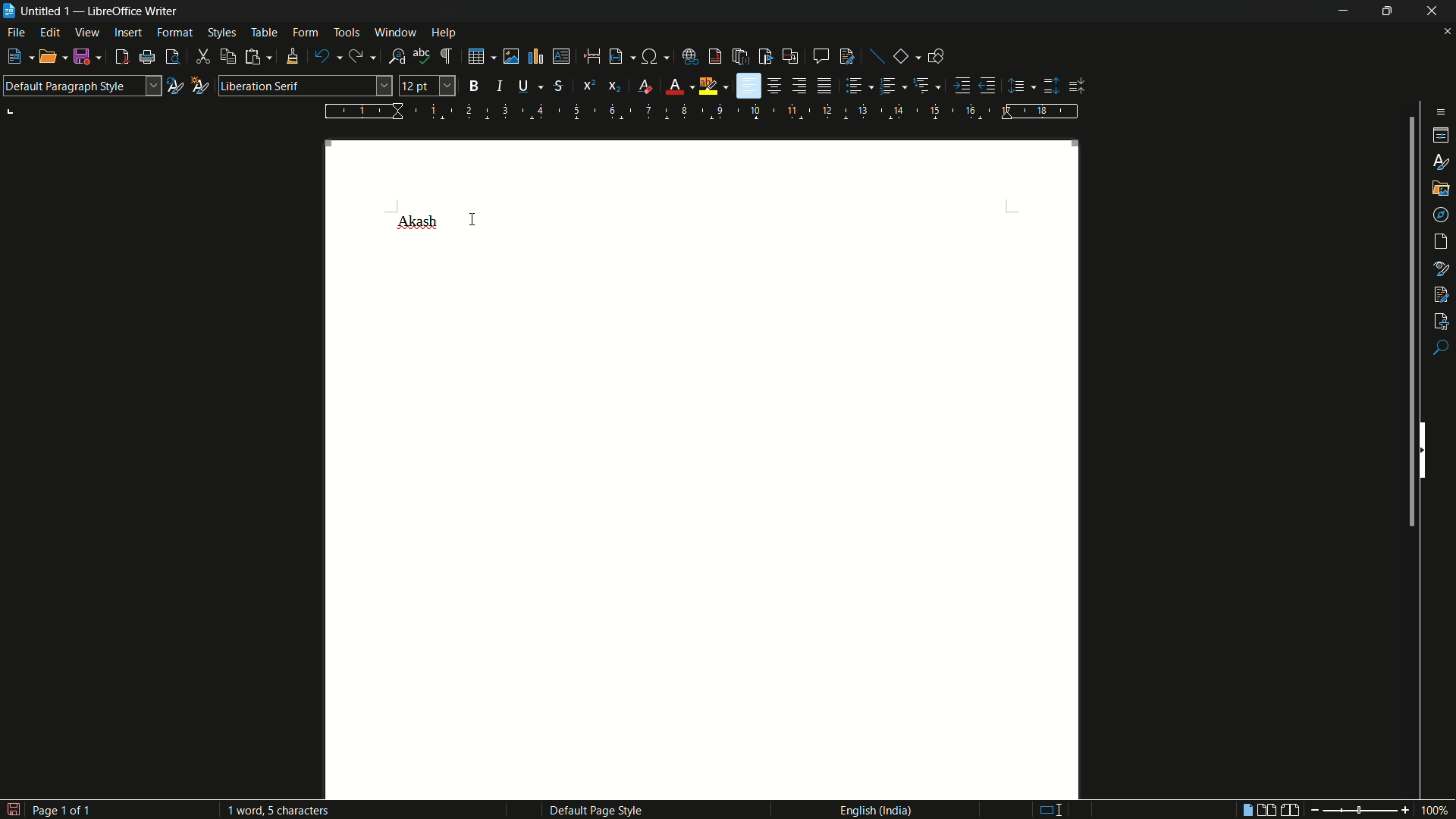  I want to click on scale factor, so click(1436, 811).